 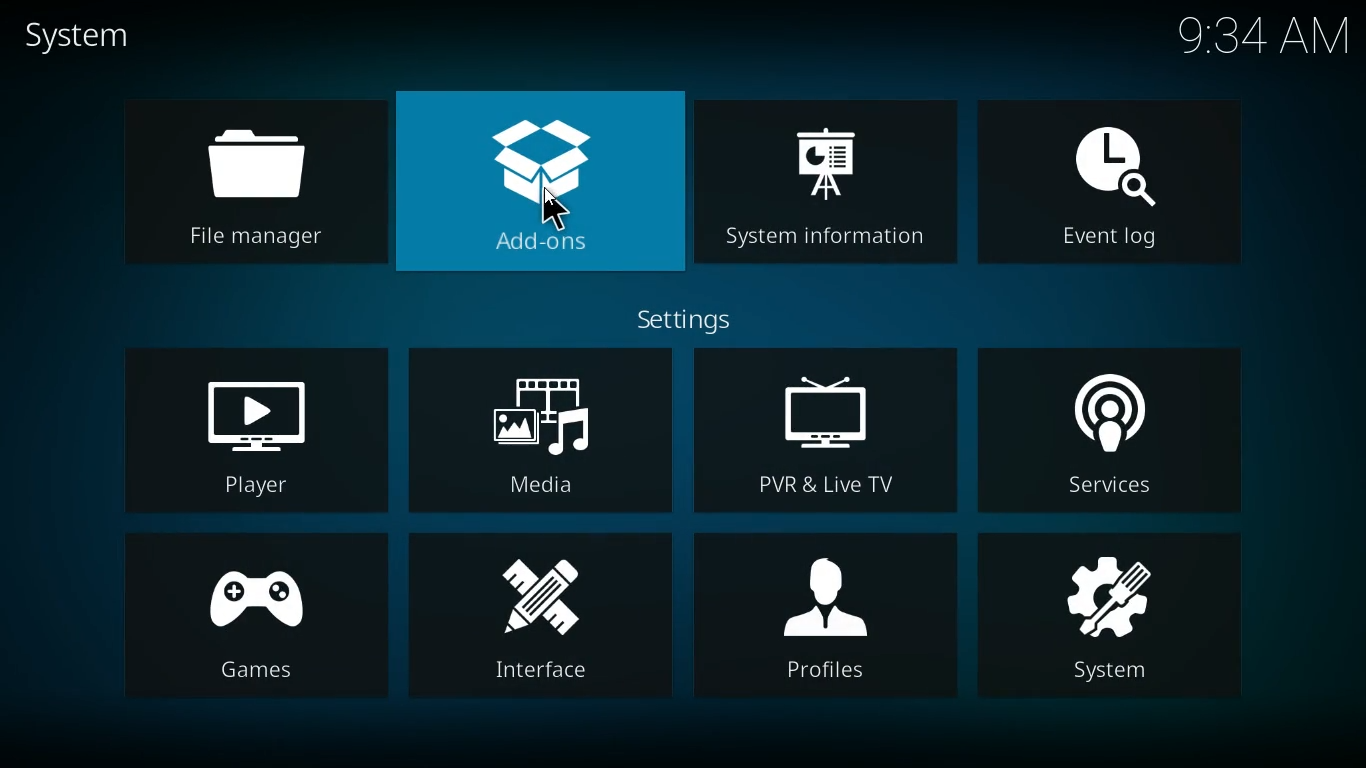 What do you see at coordinates (250, 617) in the screenshot?
I see `games` at bounding box center [250, 617].